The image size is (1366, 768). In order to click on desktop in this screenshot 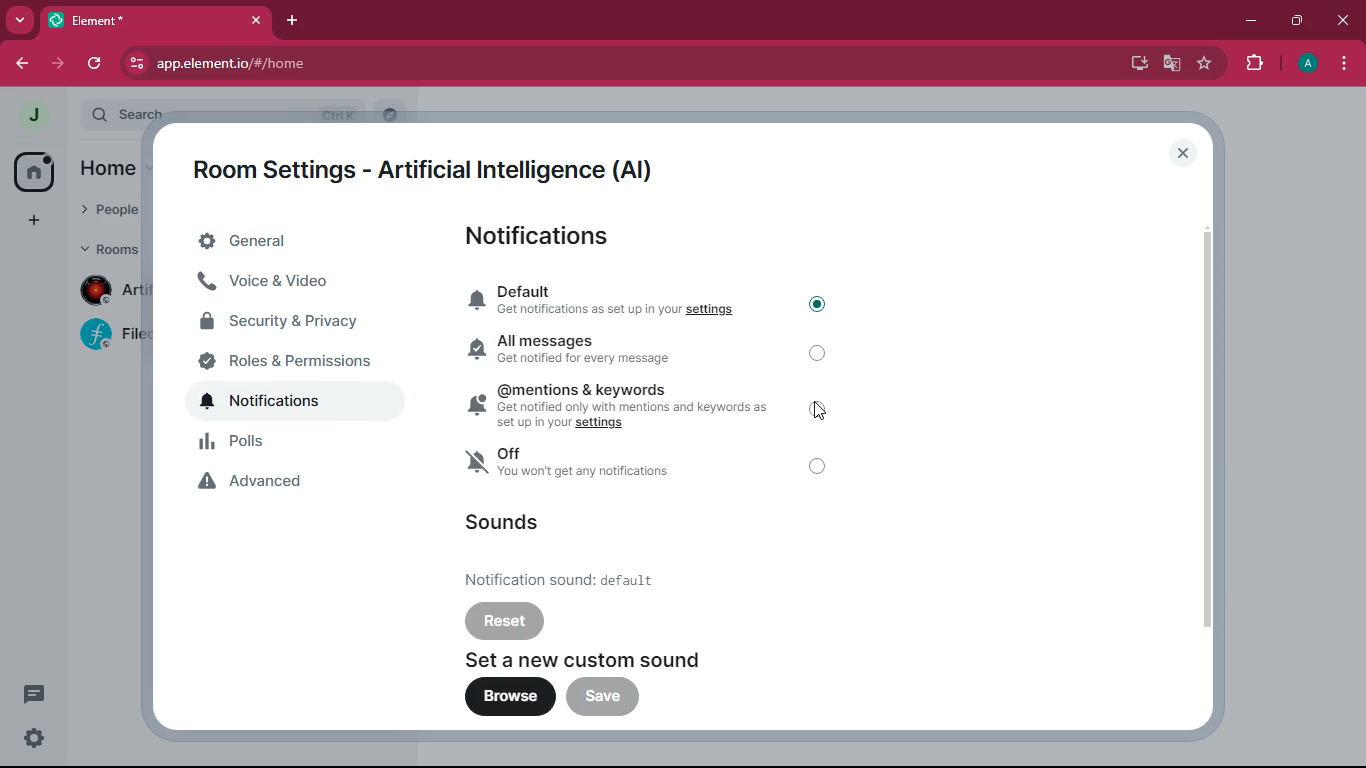, I will do `click(1134, 63)`.